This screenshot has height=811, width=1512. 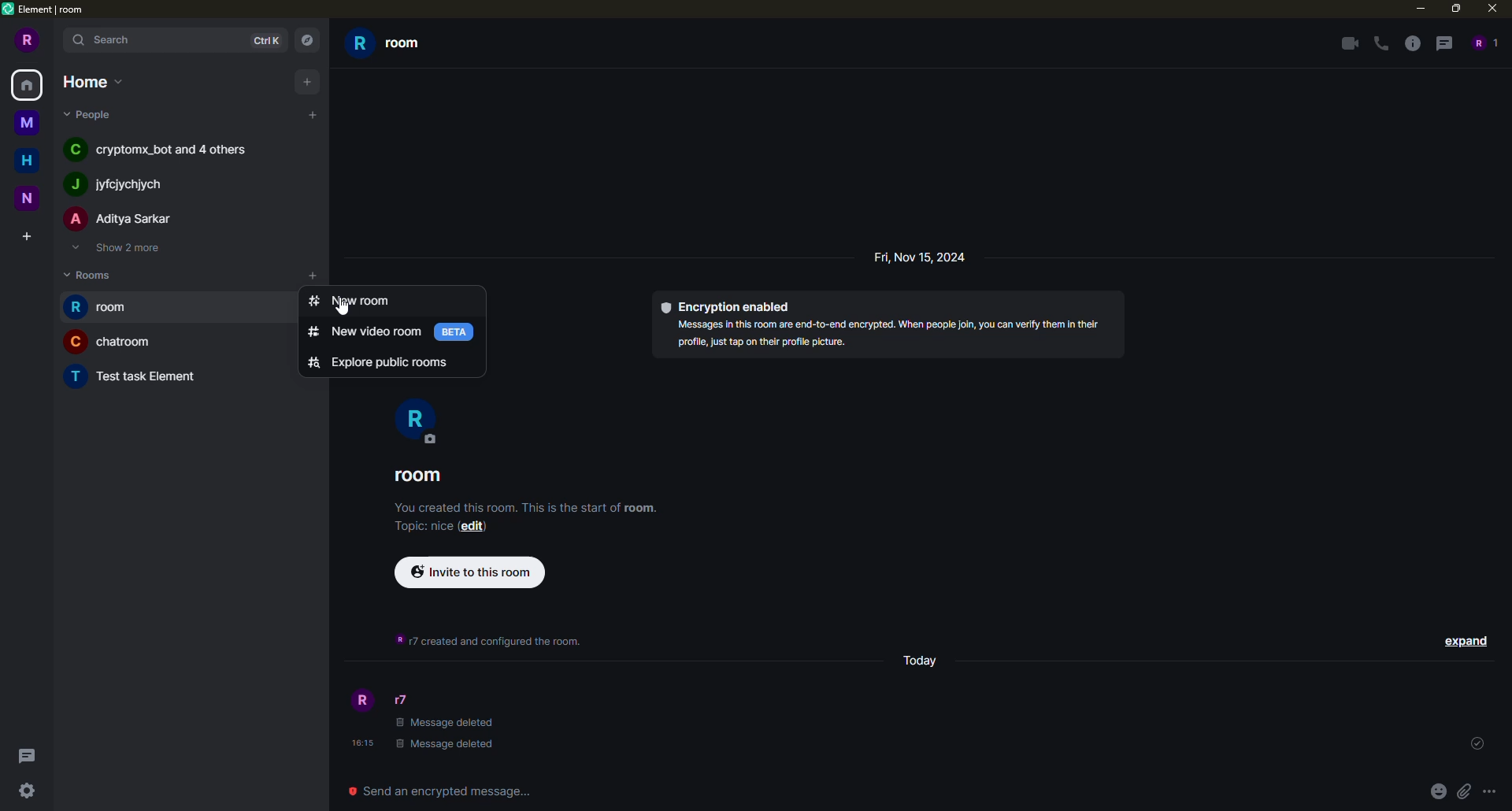 I want to click on space, so click(x=29, y=197).